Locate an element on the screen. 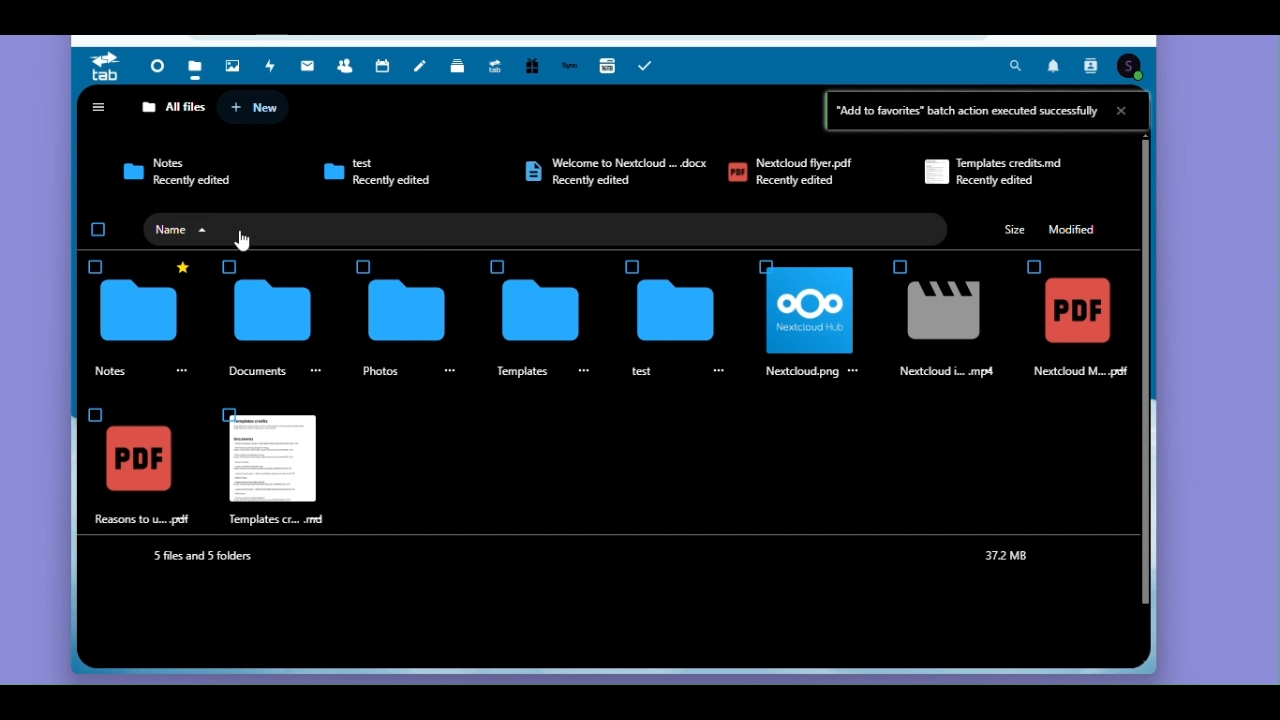 This screenshot has width=1280, height=720. Star Icon is located at coordinates (182, 266).